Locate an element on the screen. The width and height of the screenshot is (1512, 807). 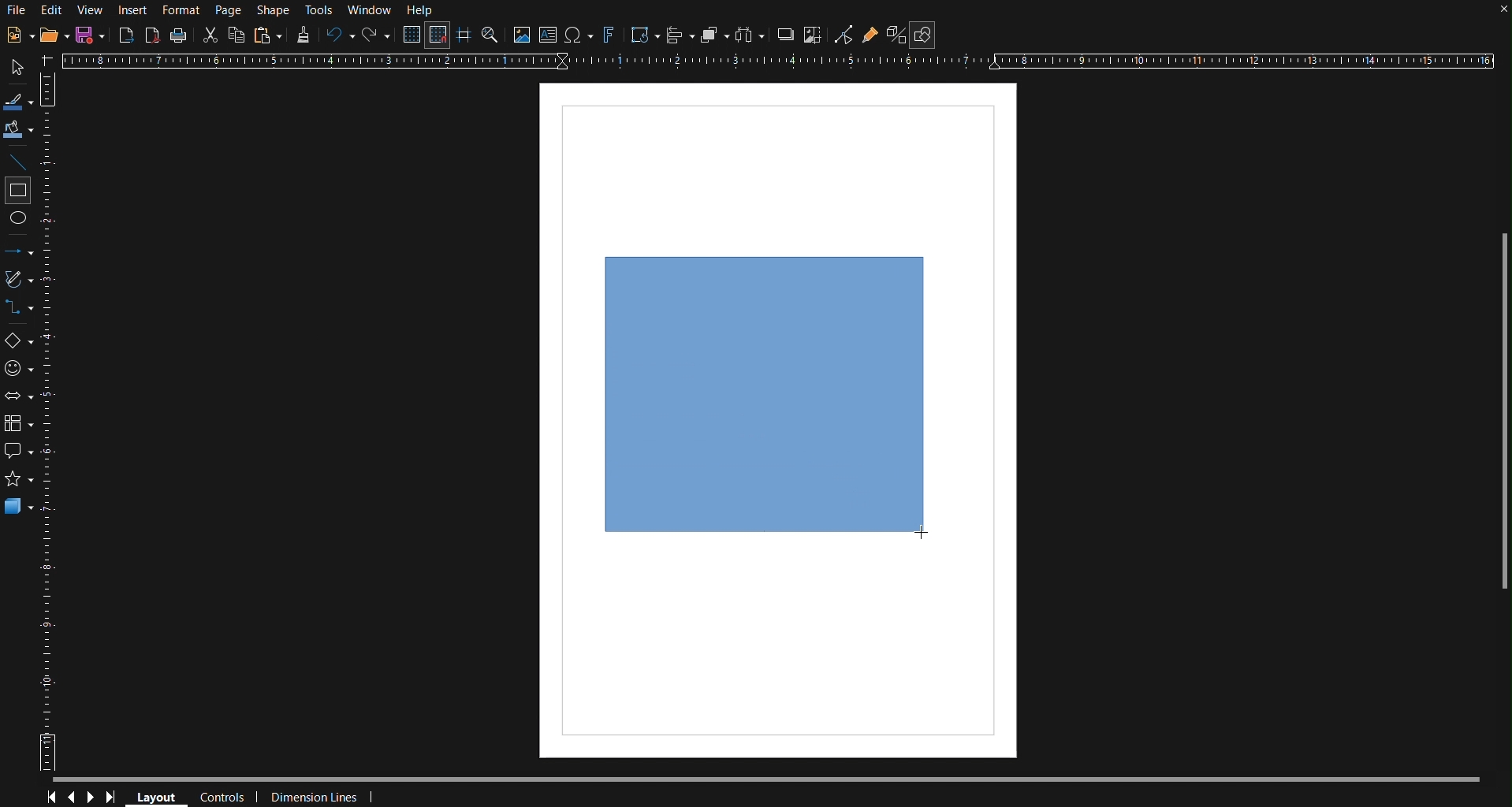
Previous Page is located at coordinates (71, 798).